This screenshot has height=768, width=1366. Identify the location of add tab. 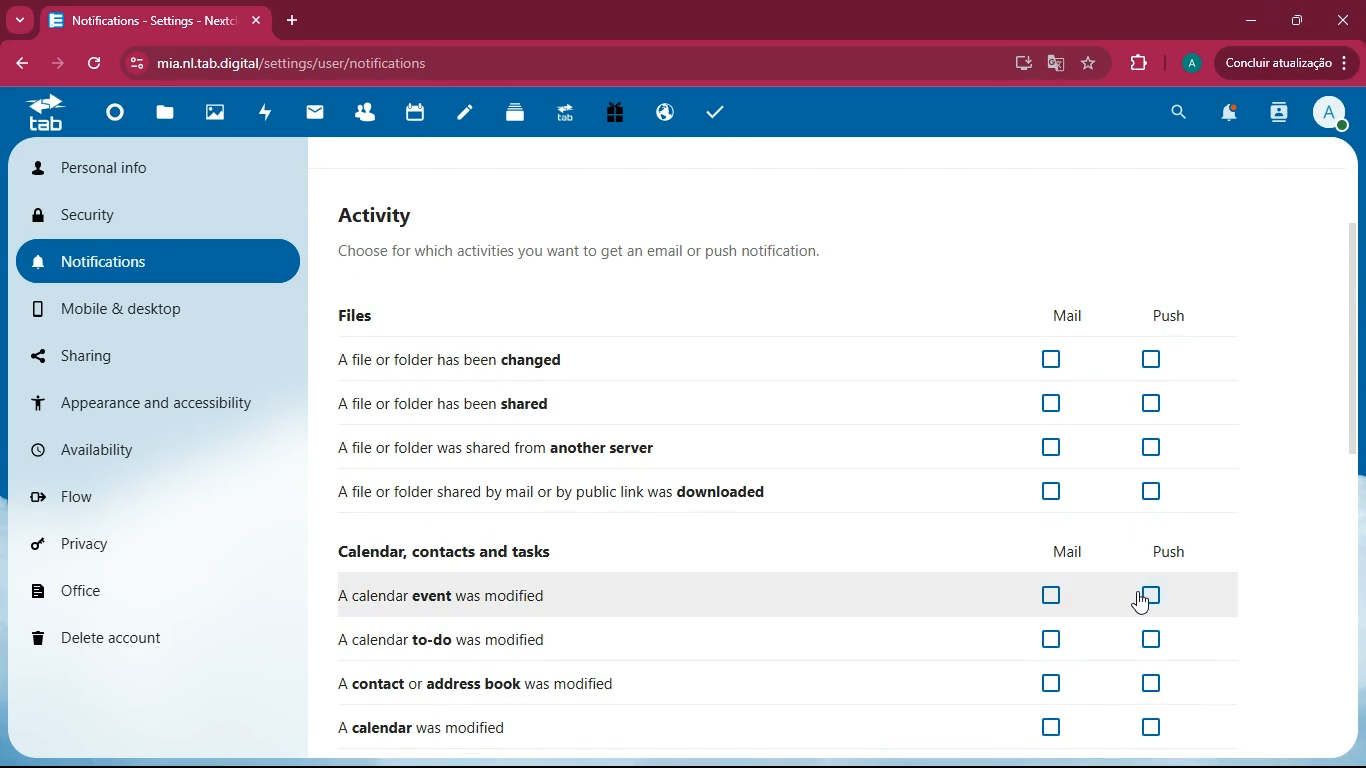
(292, 19).